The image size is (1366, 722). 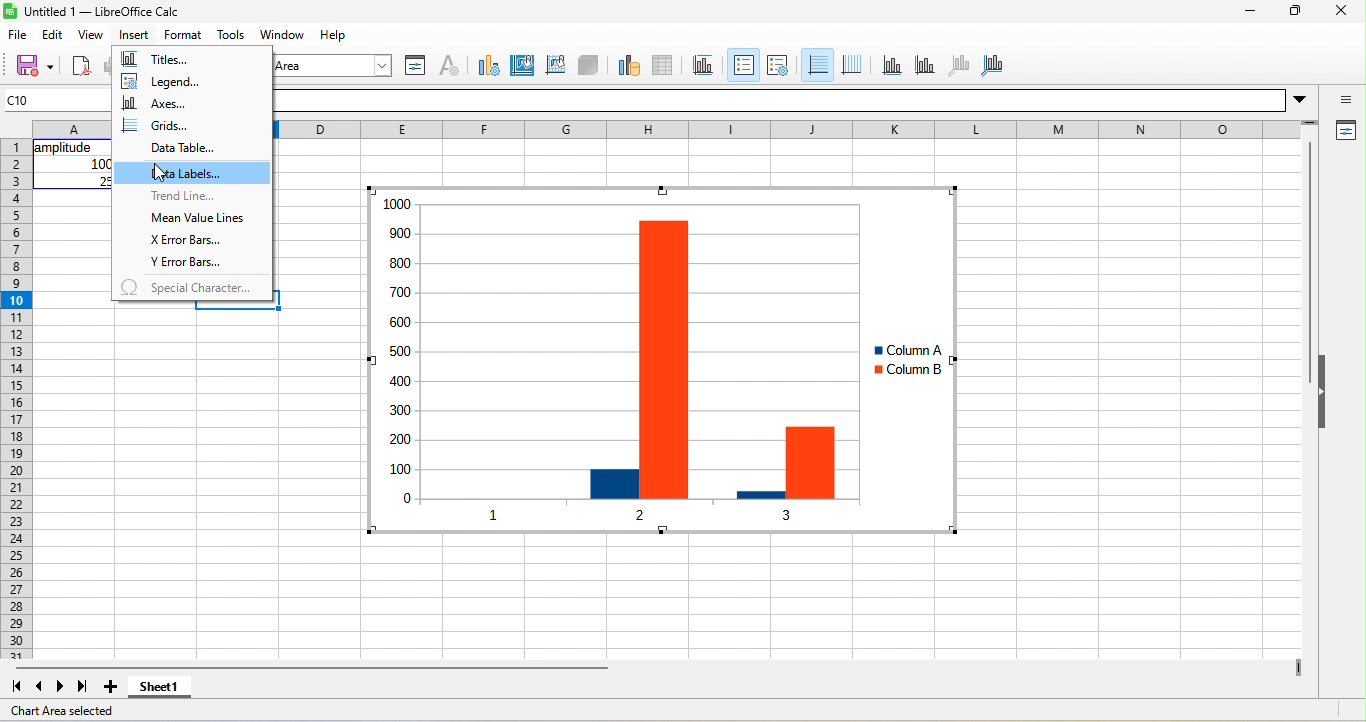 I want to click on data labels, so click(x=193, y=172).